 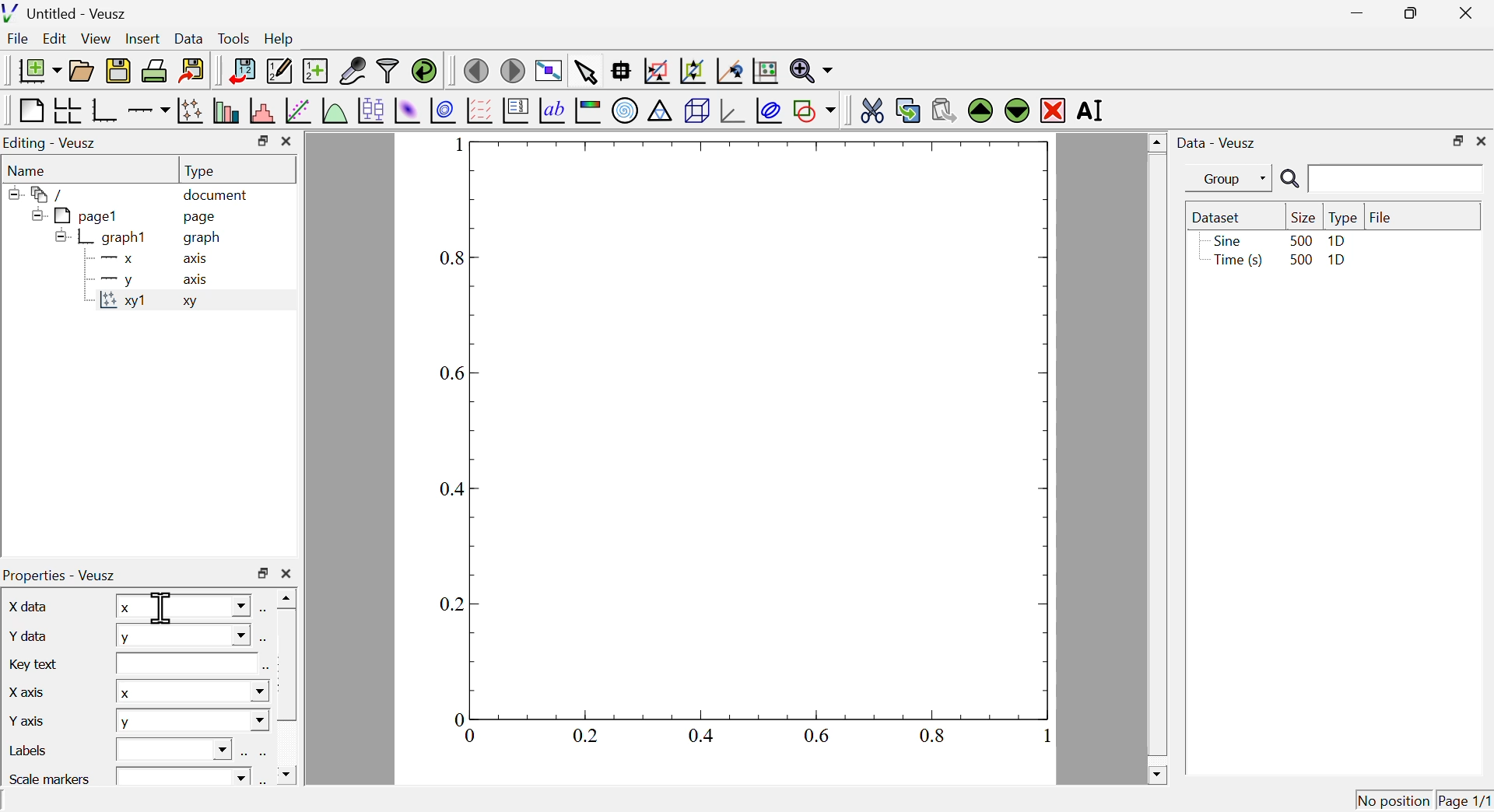 What do you see at coordinates (278, 71) in the screenshot?
I see `edit and enter new datasets` at bounding box center [278, 71].